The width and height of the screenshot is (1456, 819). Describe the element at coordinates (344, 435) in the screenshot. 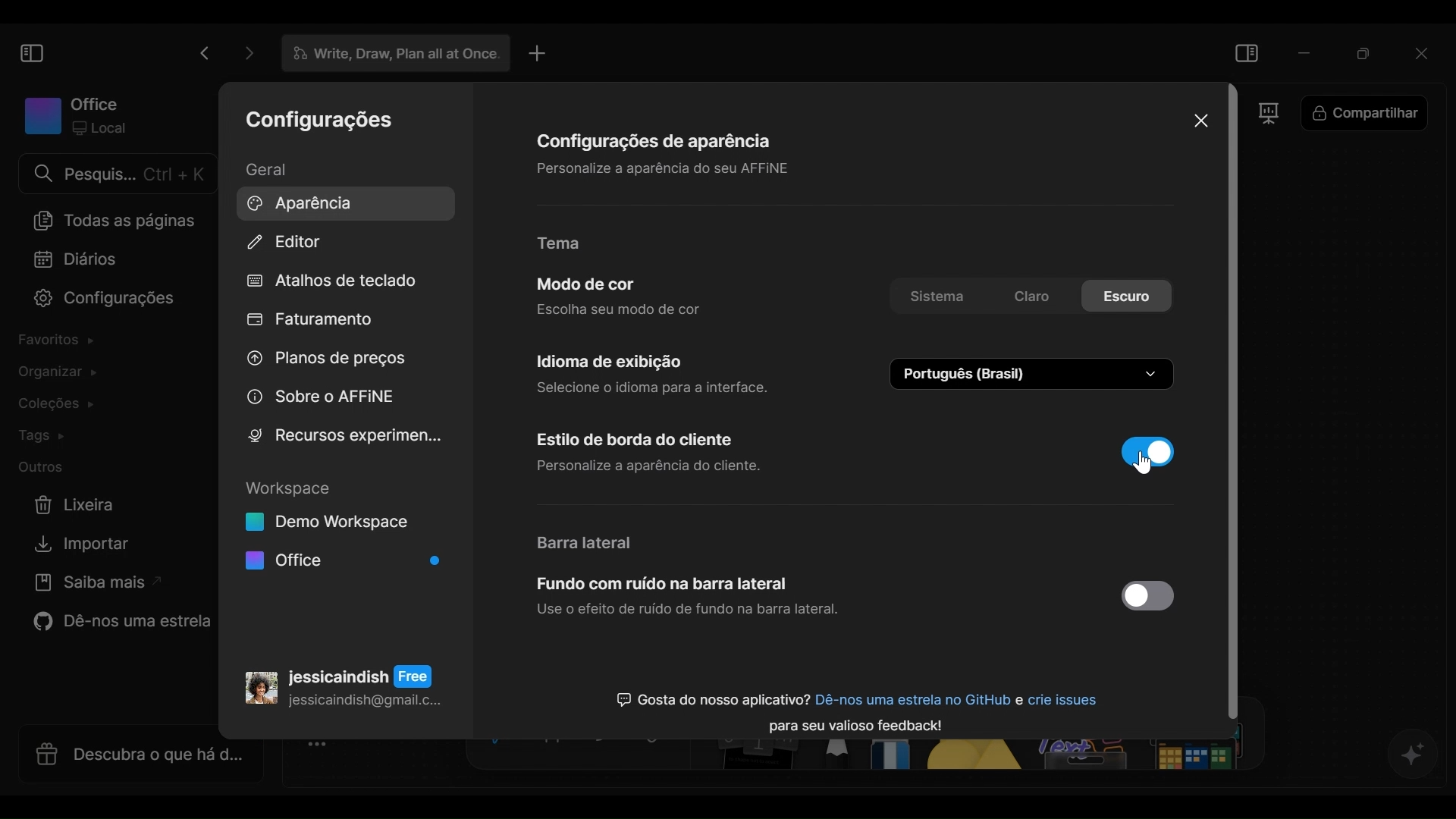

I see `Experimental features` at that location.